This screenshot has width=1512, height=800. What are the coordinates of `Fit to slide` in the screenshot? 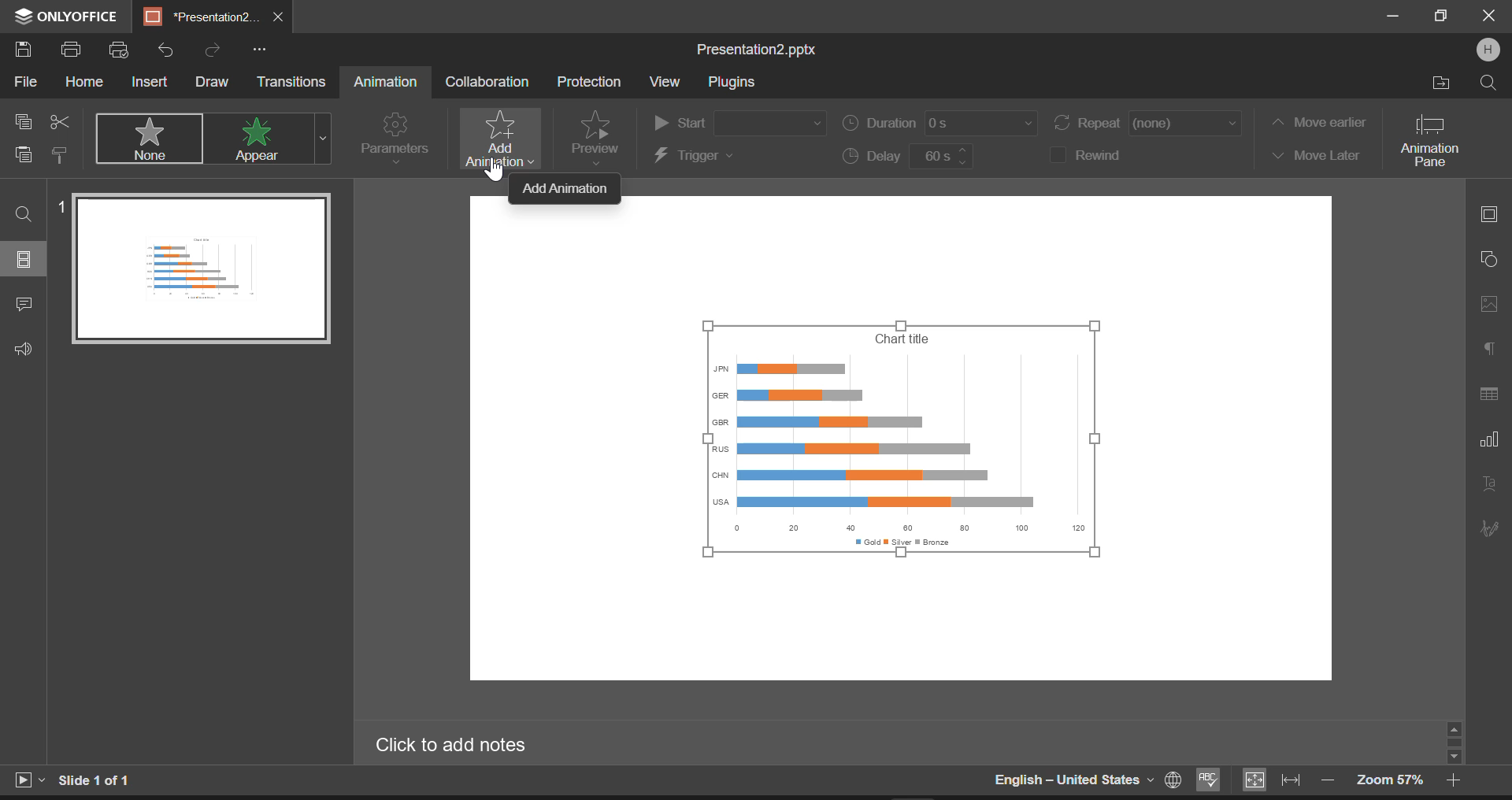 It's located at (1253, 780).